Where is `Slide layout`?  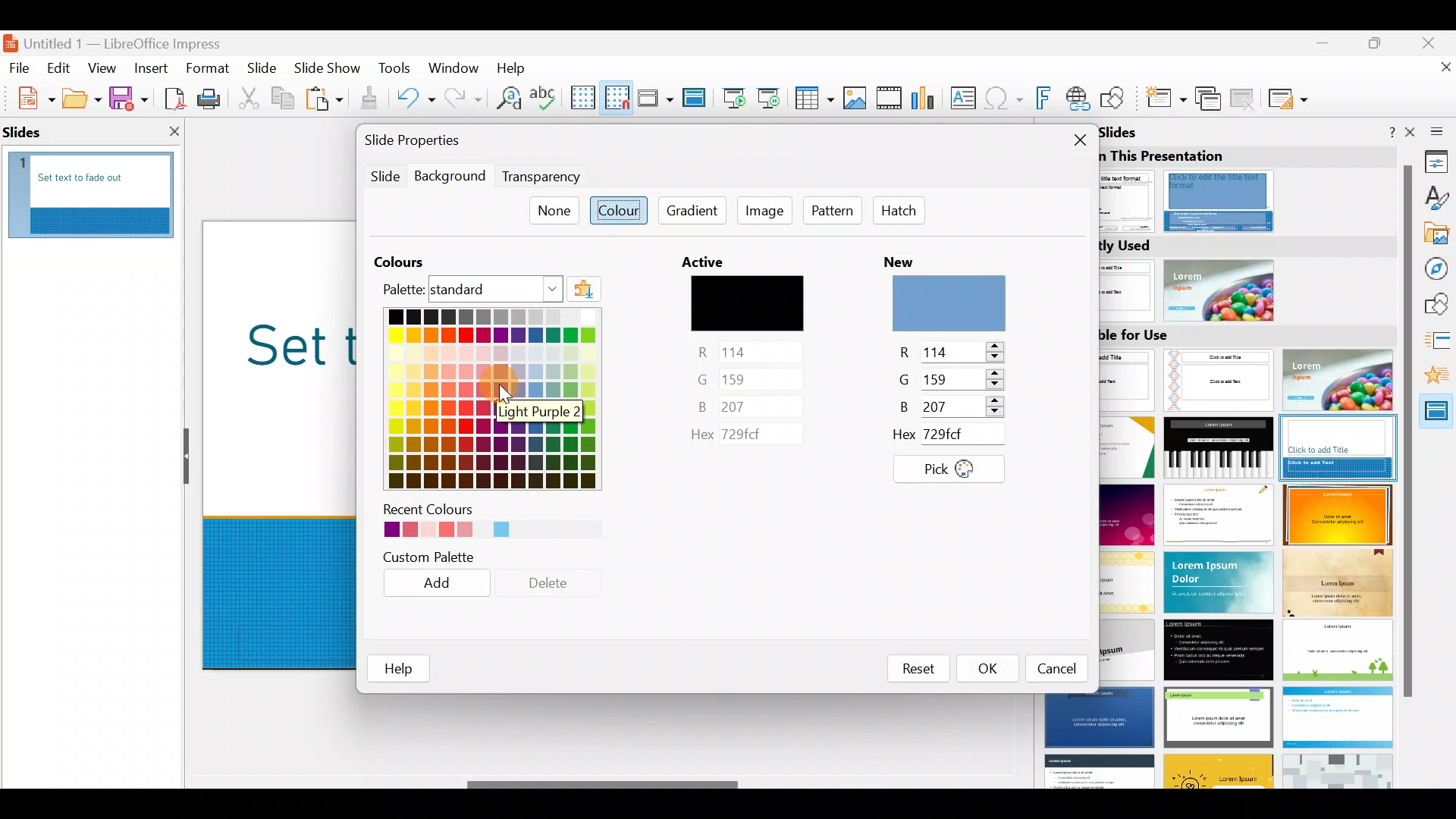
Slide layout is located at coordinates (1289, 99).